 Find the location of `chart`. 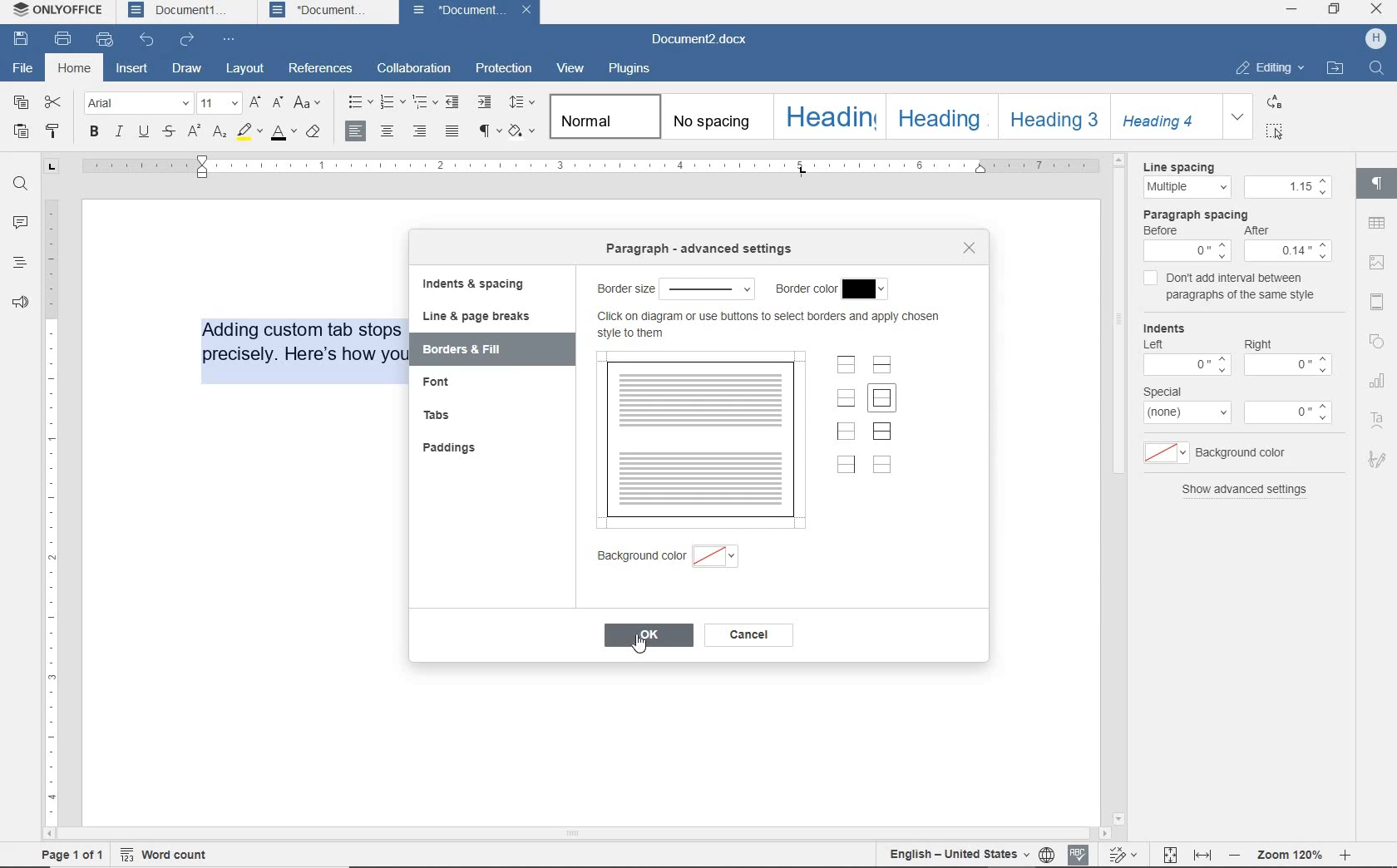

chart is located at coordinates (1379, 377).